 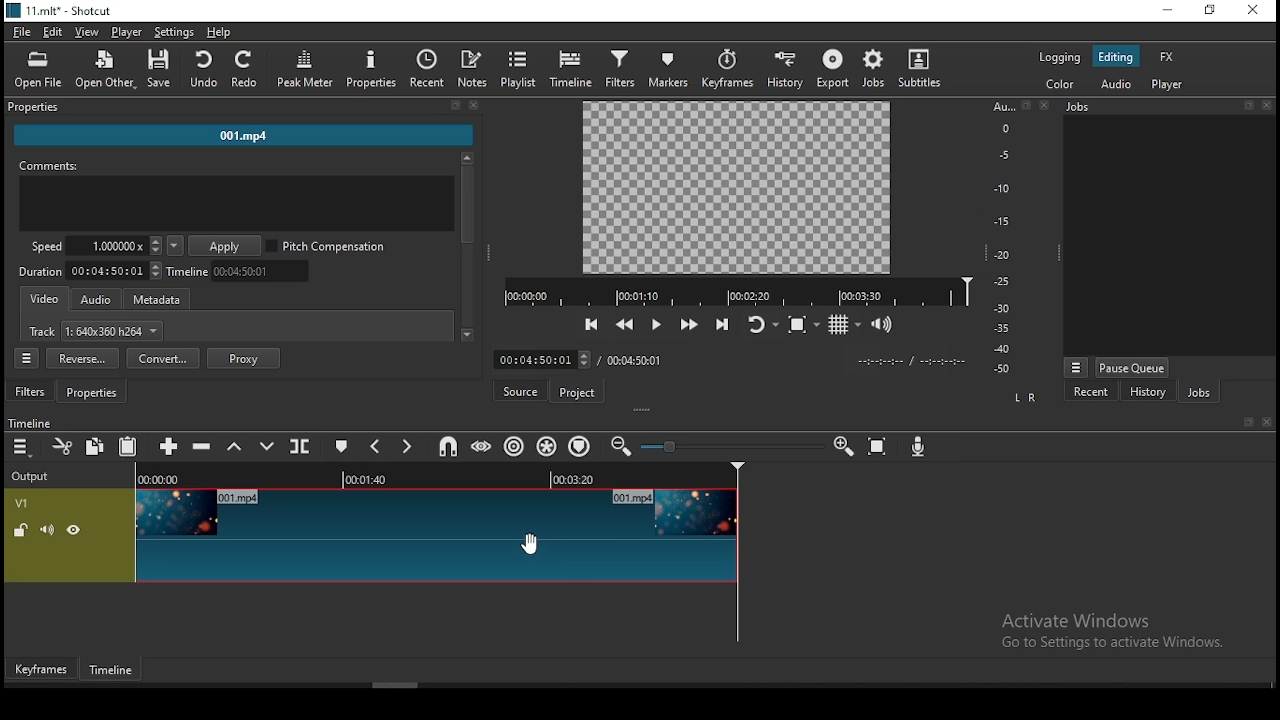 What do you see at coordinates (467, 247) in the screenshot?
I see `scrollbar` at bounding box center [467, 247].